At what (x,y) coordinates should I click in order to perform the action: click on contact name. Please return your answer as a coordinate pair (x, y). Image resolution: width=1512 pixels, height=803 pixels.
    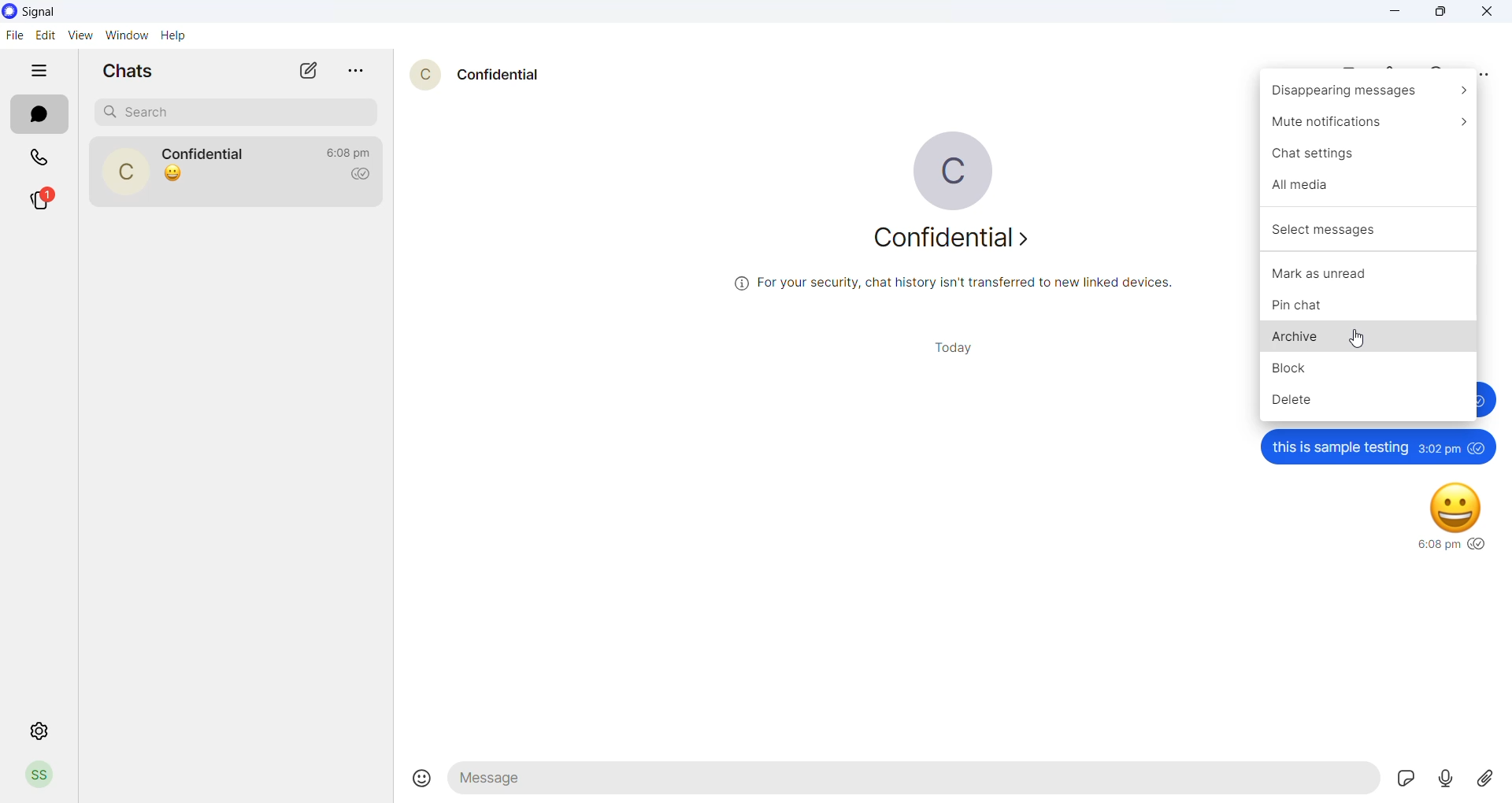
    Looking at the image, I should click on (205, 151).